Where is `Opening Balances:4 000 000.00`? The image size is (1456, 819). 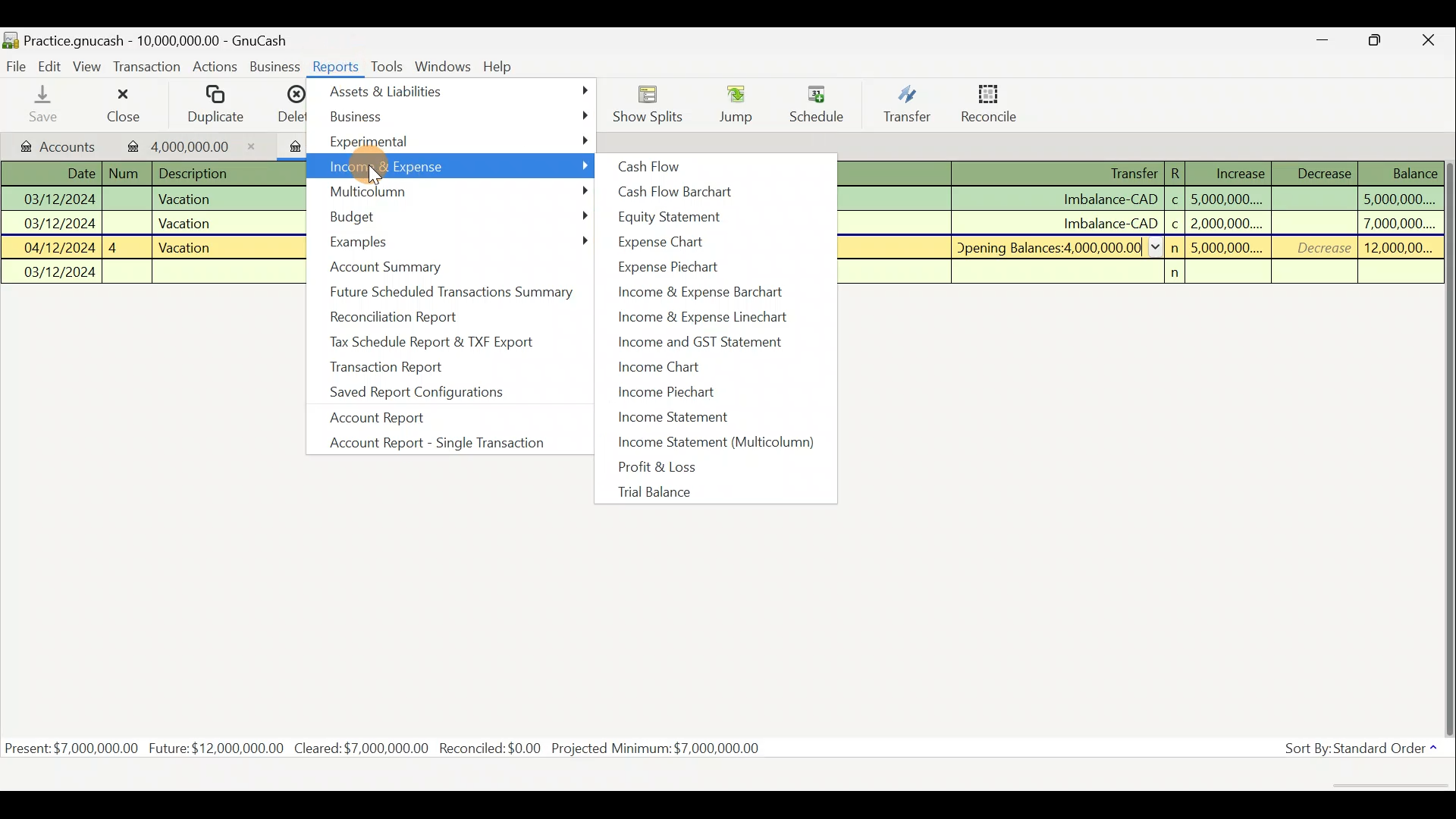 Opening Balances:4 000 000.00 is located at coordinates (1050, 248).